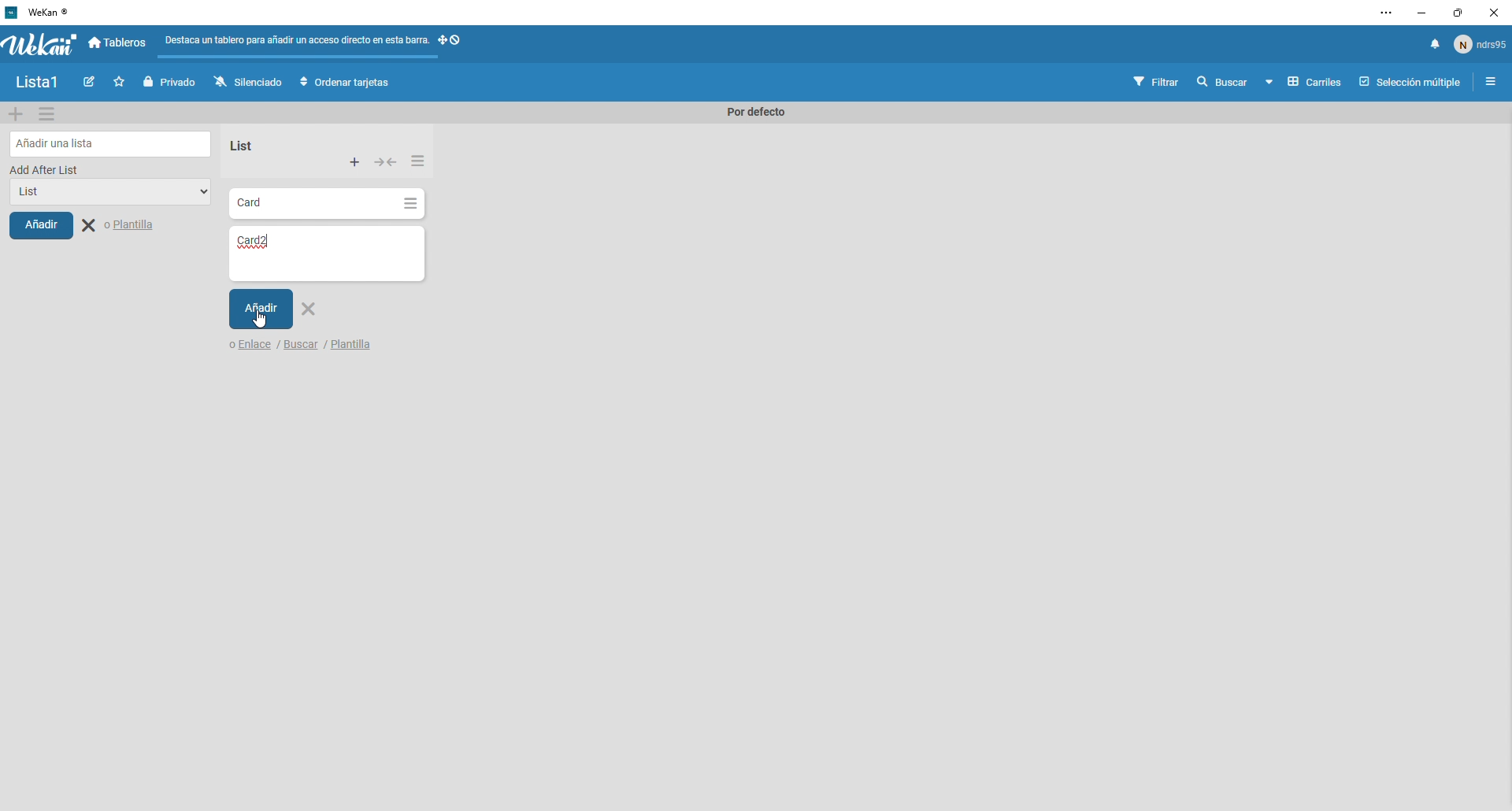  I want to click on Actions, so click(454, 45).